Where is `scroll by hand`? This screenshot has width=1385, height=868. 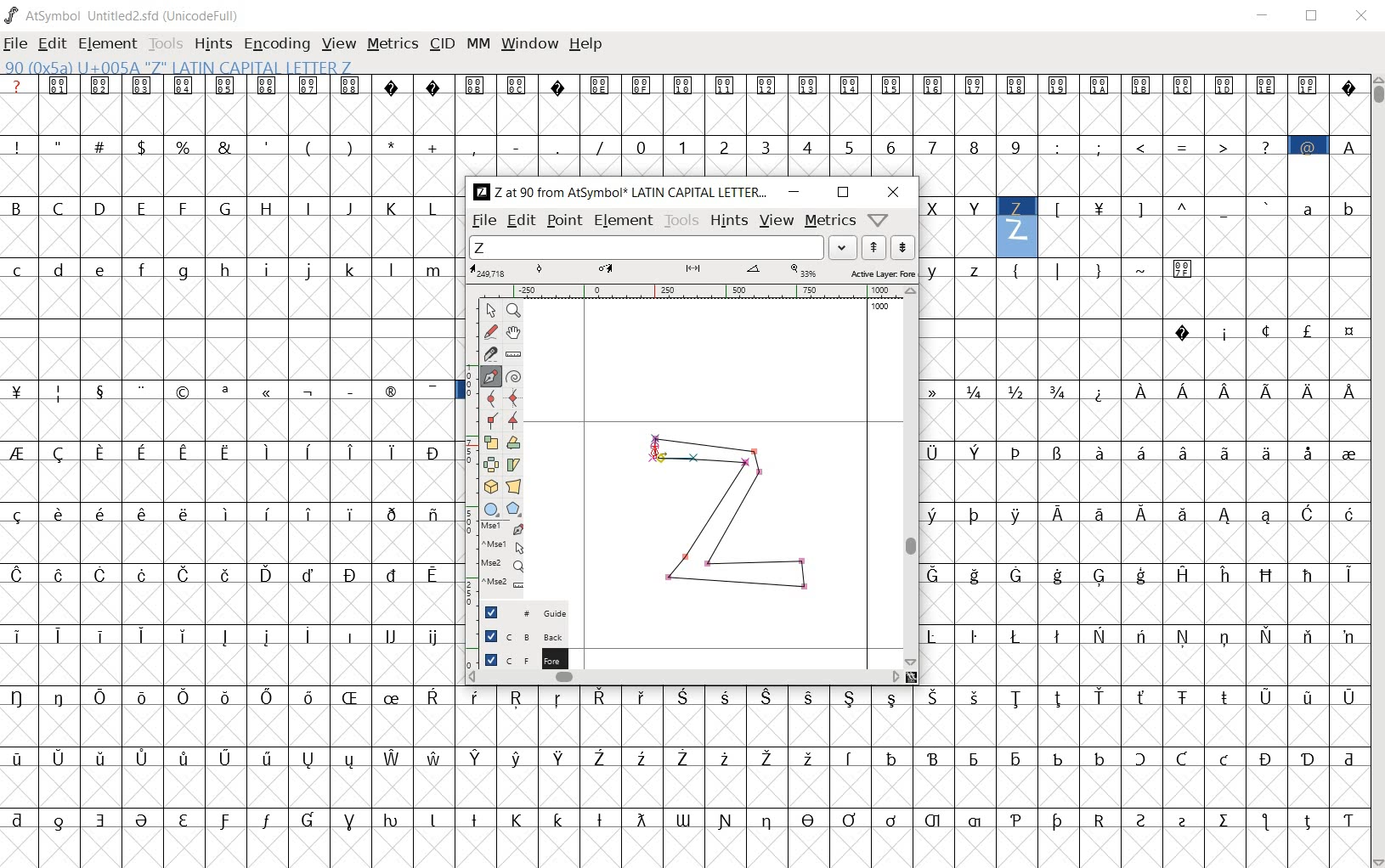
scroll by hand is located at coordinates (515, 332).